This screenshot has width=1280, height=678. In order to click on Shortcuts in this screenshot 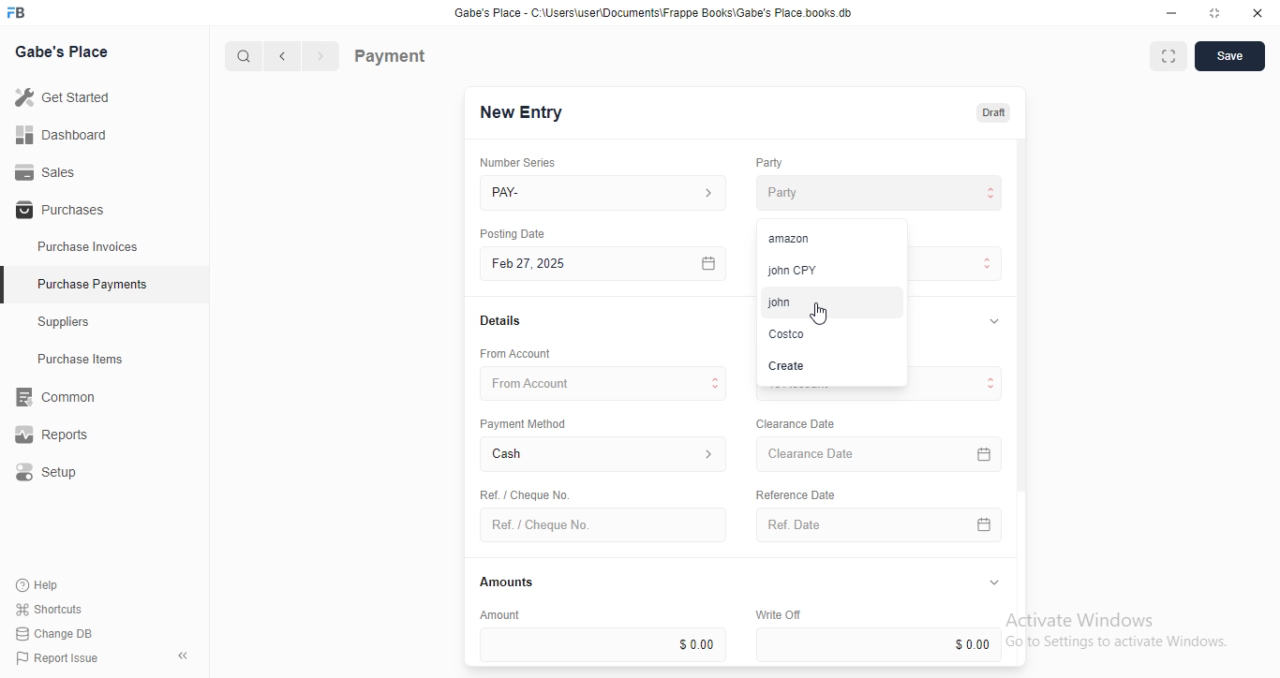, I will do `click(47, 610)`.